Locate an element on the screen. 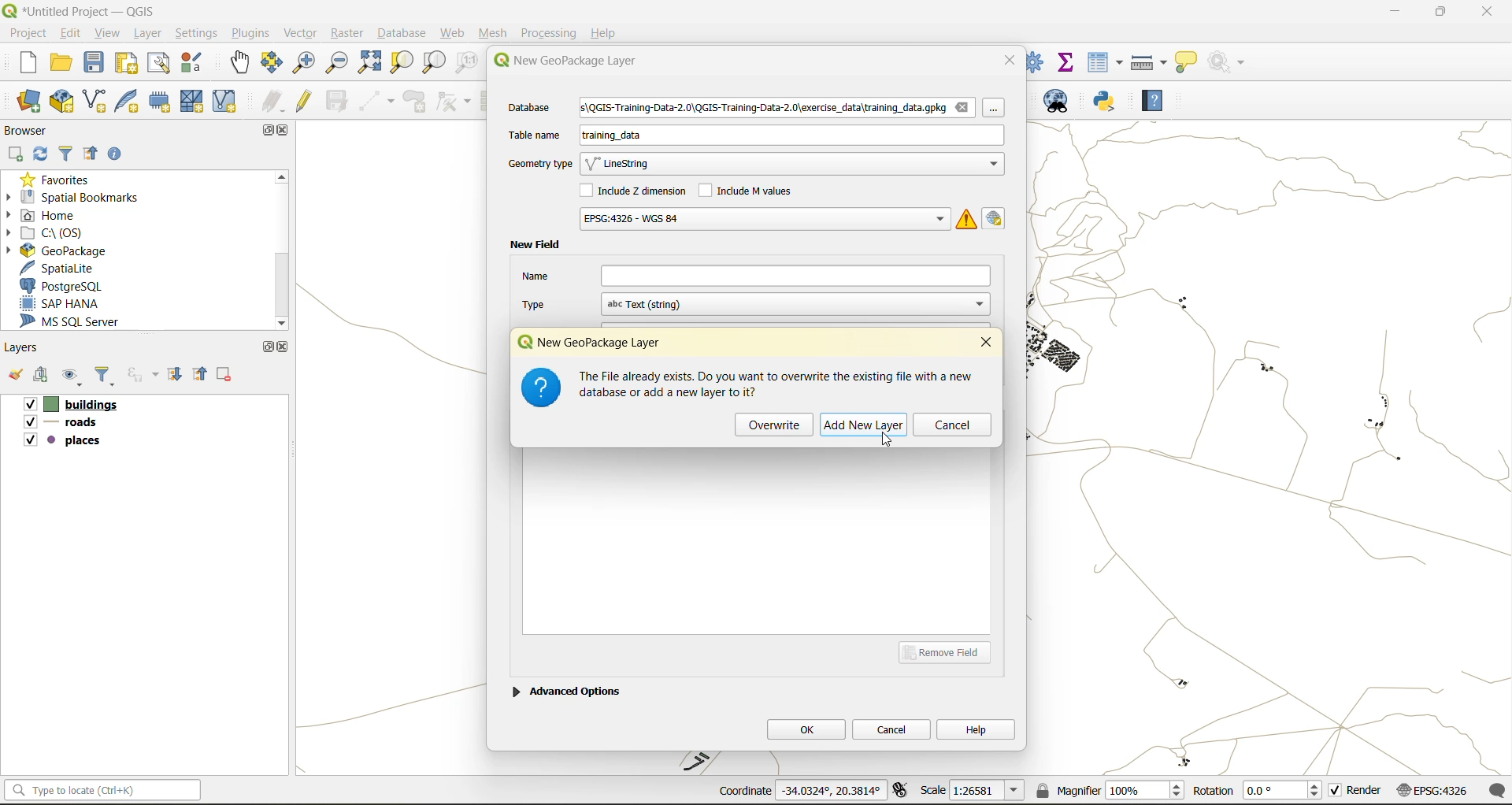 Image resolution: width=1512 pixels, height=805 pixels. collapse all is located at coordinates (94, 154).